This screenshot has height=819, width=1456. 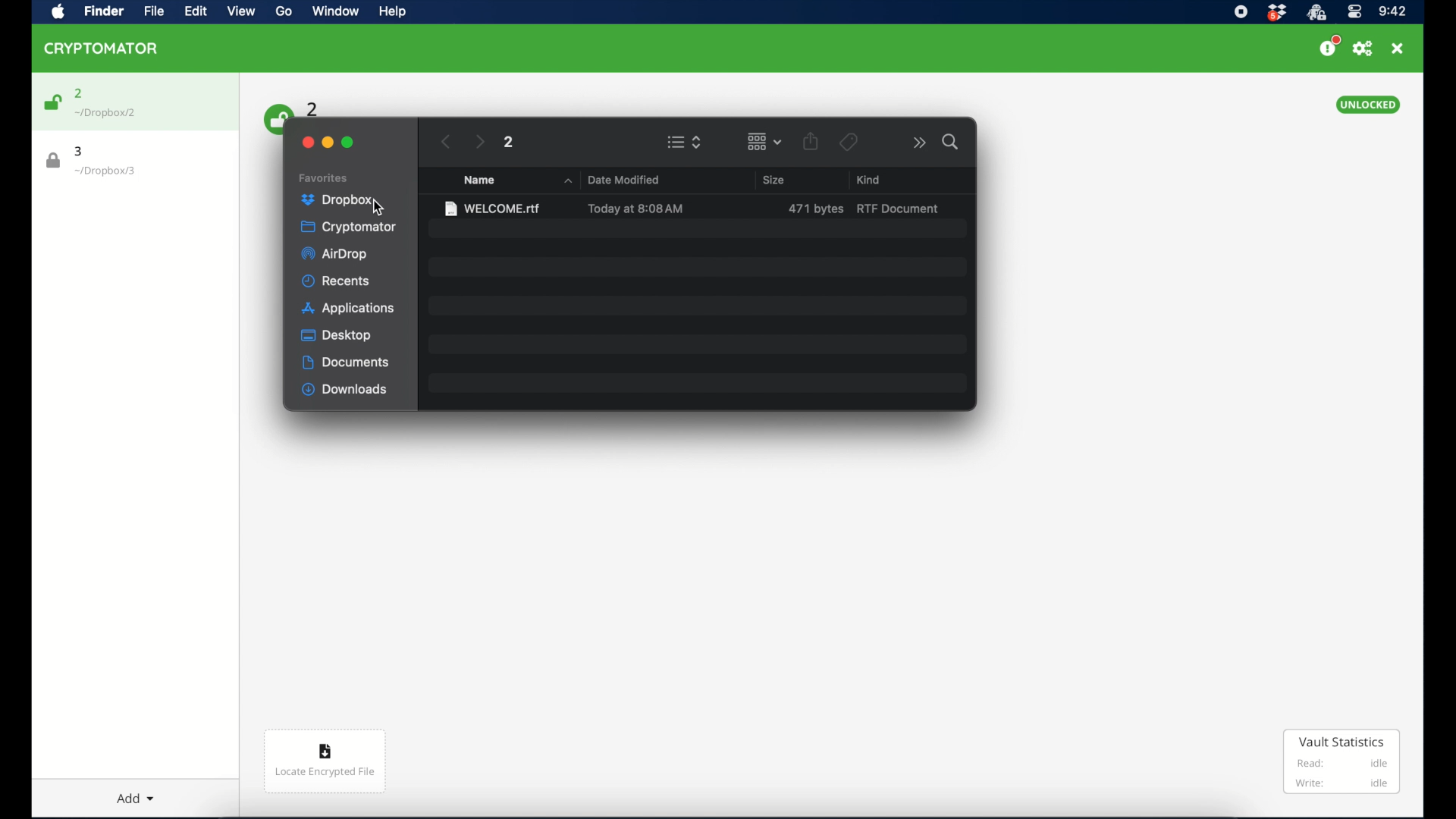 I want to click on close, so click(x=306, y=143).